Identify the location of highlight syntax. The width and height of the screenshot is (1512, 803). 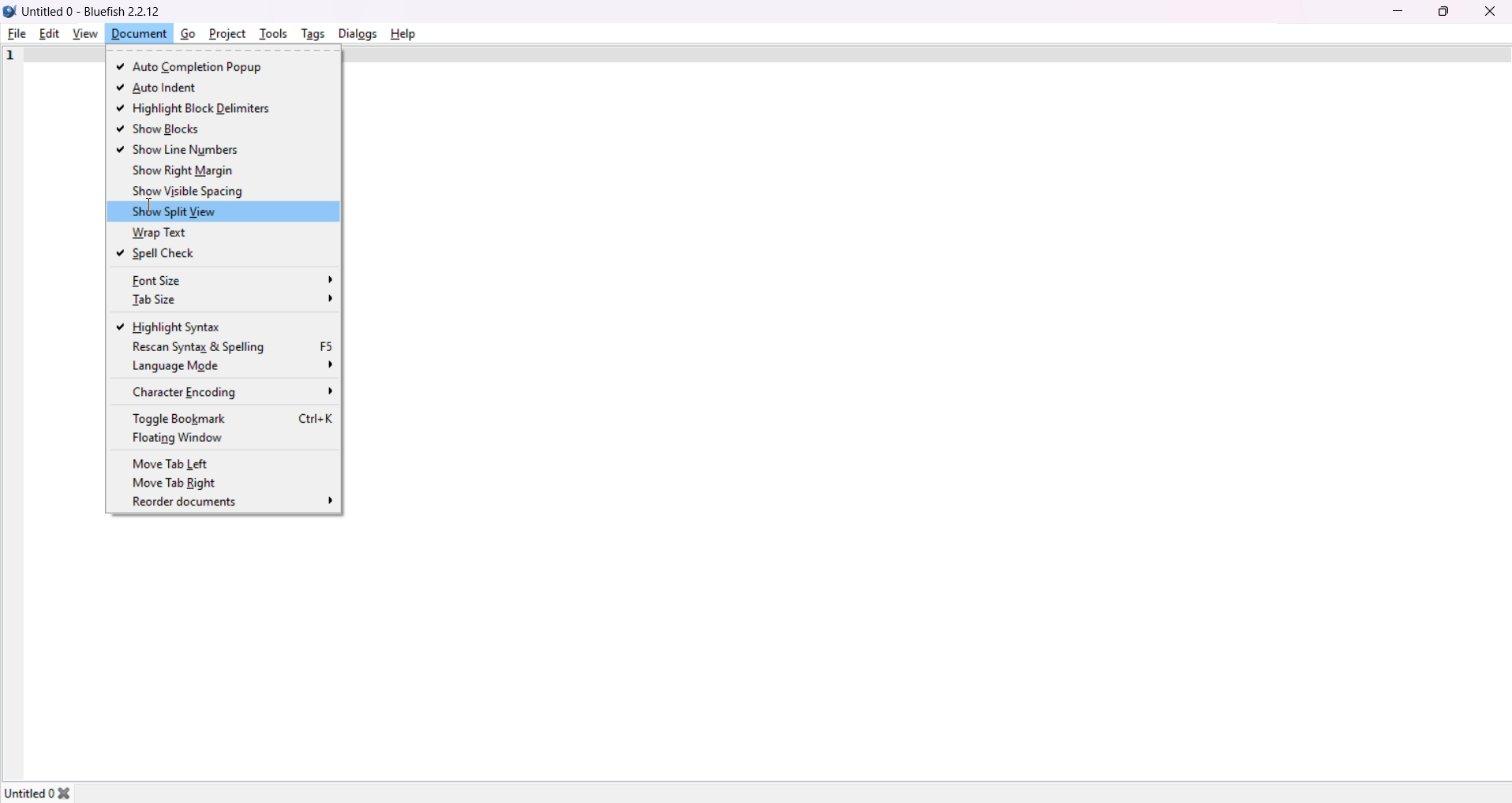
(176, 326).